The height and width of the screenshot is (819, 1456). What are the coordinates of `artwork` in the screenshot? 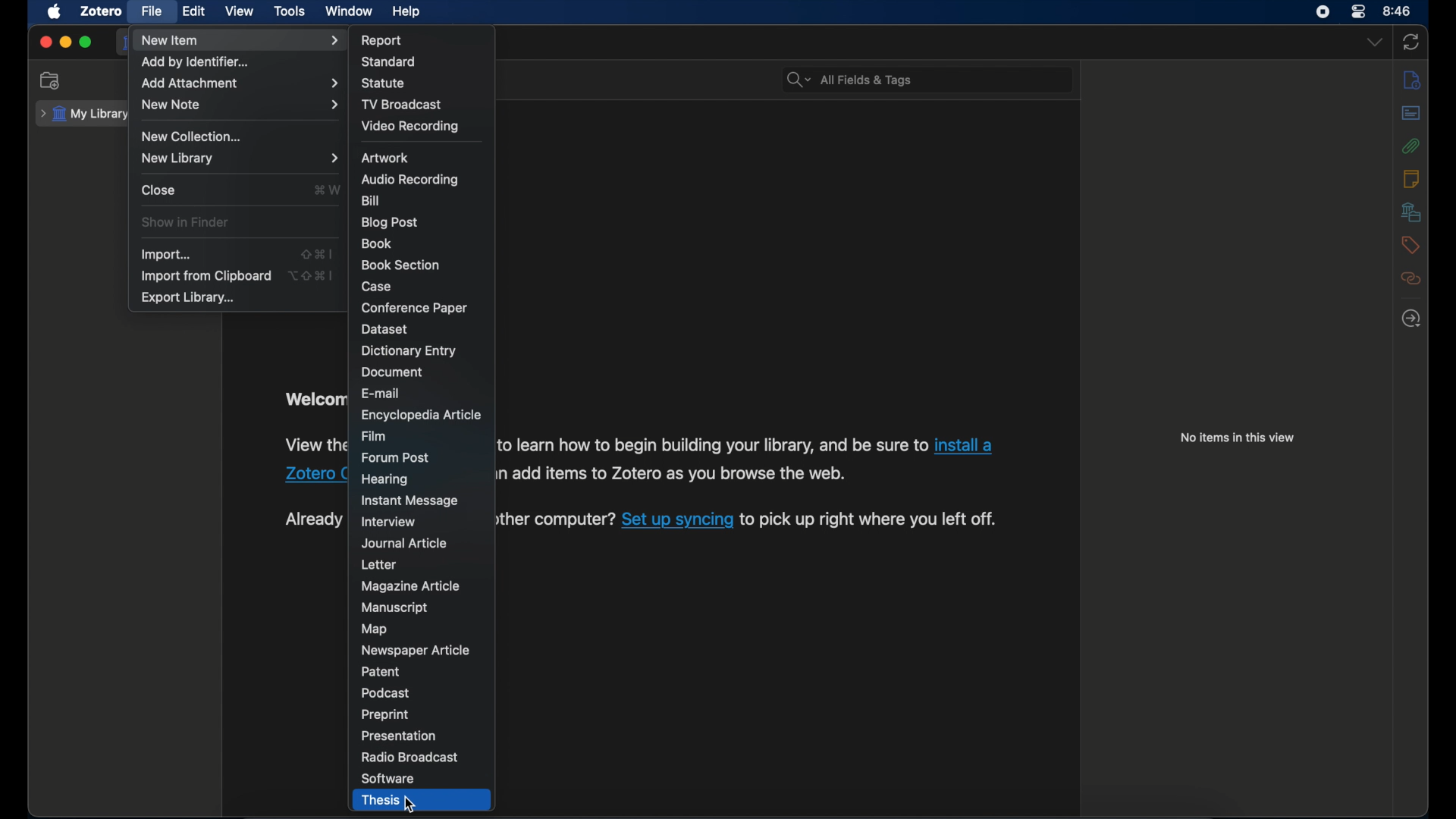 It's located at (386, 158).